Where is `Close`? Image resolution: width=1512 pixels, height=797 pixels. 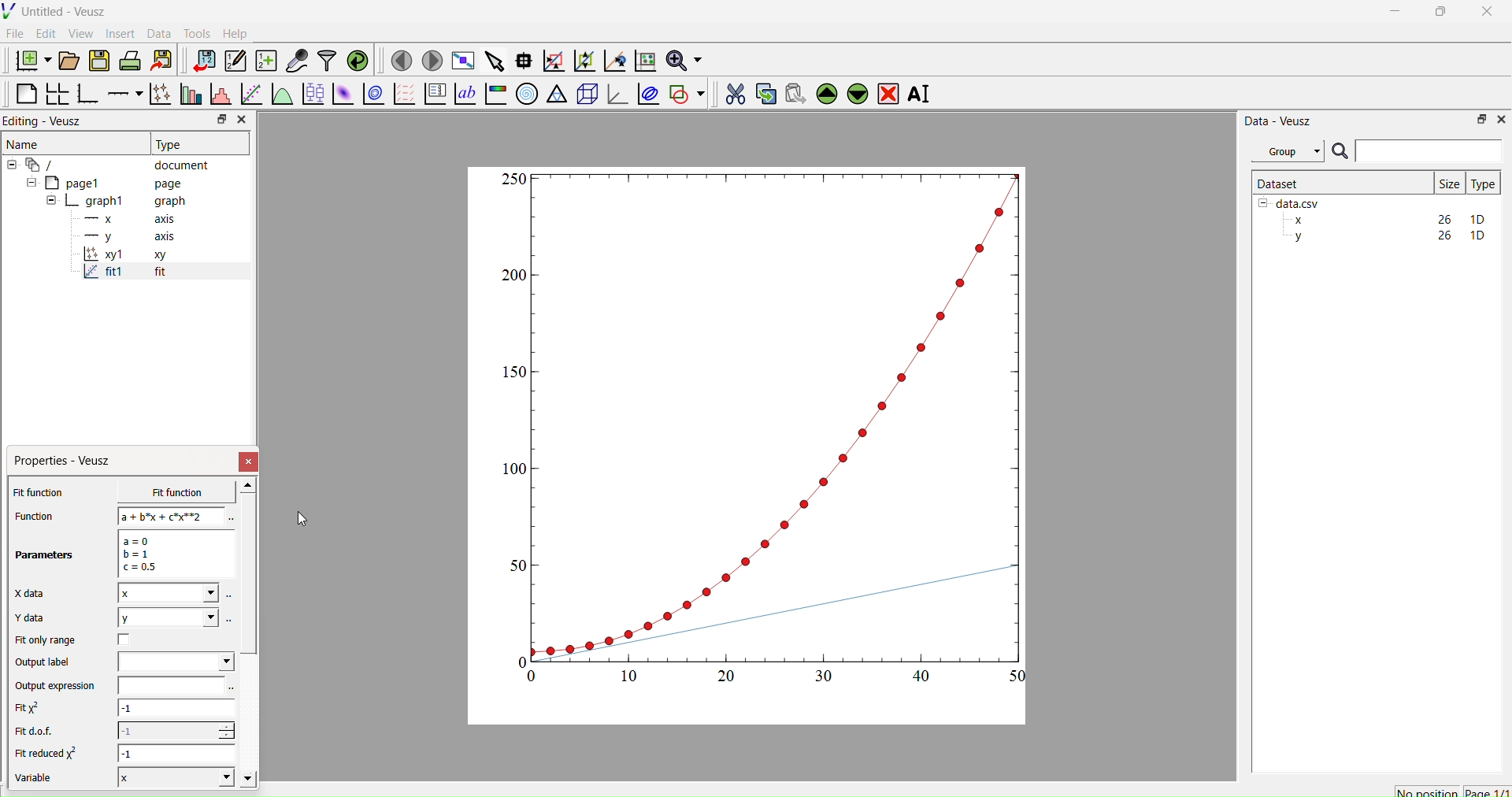 Close is located at coordinates (1500, 118).